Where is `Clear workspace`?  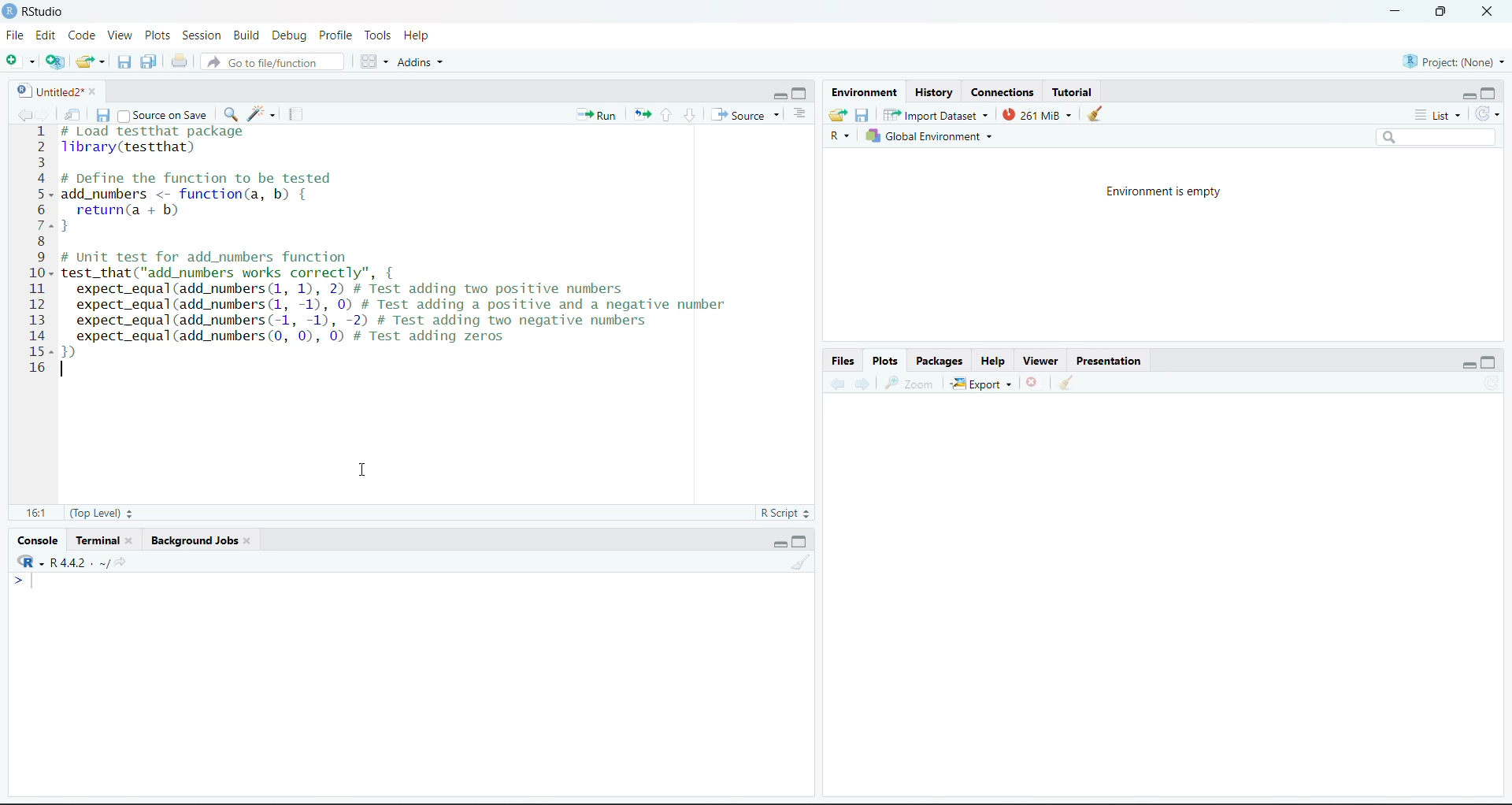
Clear workspace is located at coordinates (1066, 382).